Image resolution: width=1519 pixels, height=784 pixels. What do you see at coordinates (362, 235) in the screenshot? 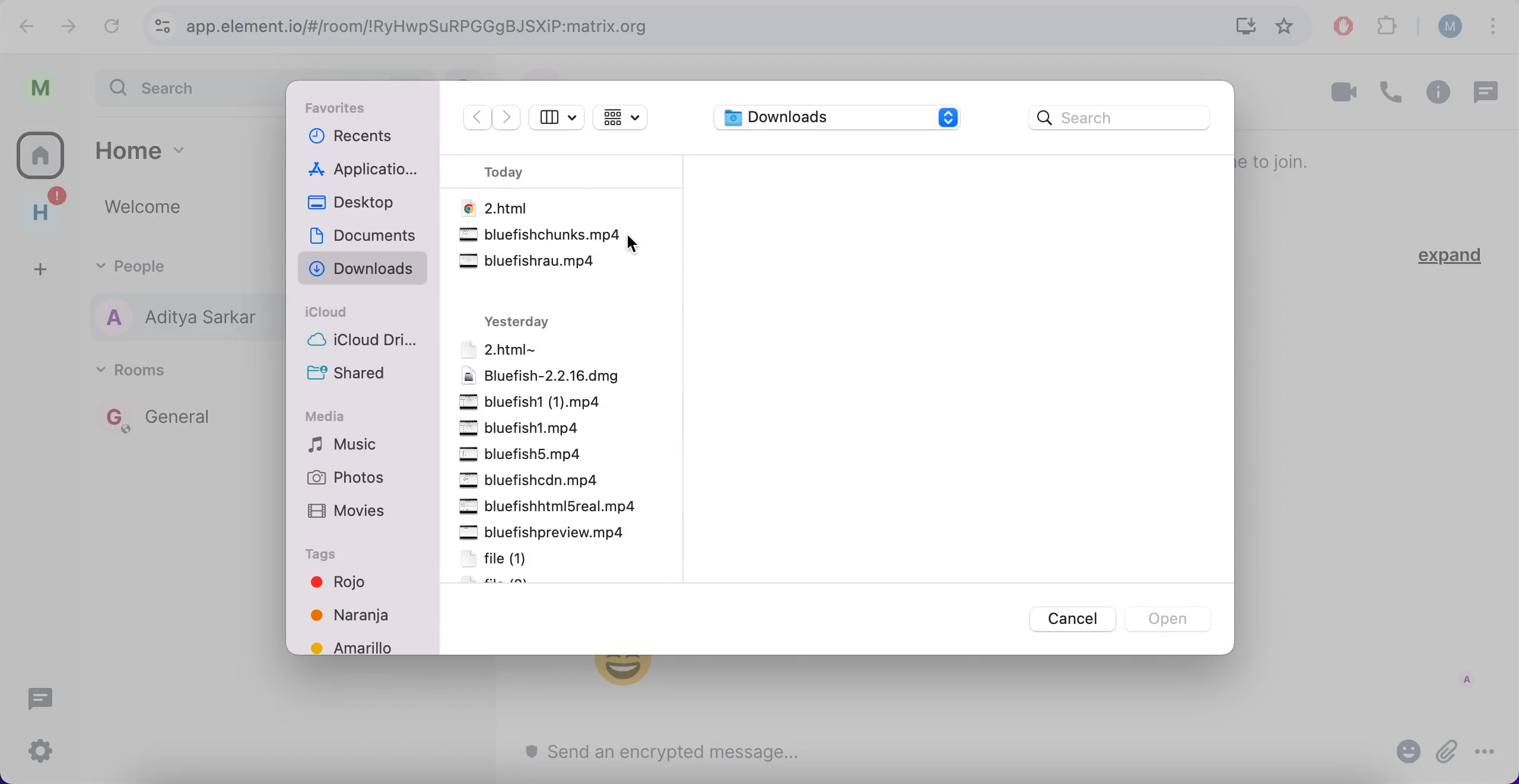
I see `documents` at bounding box center [362, 235].